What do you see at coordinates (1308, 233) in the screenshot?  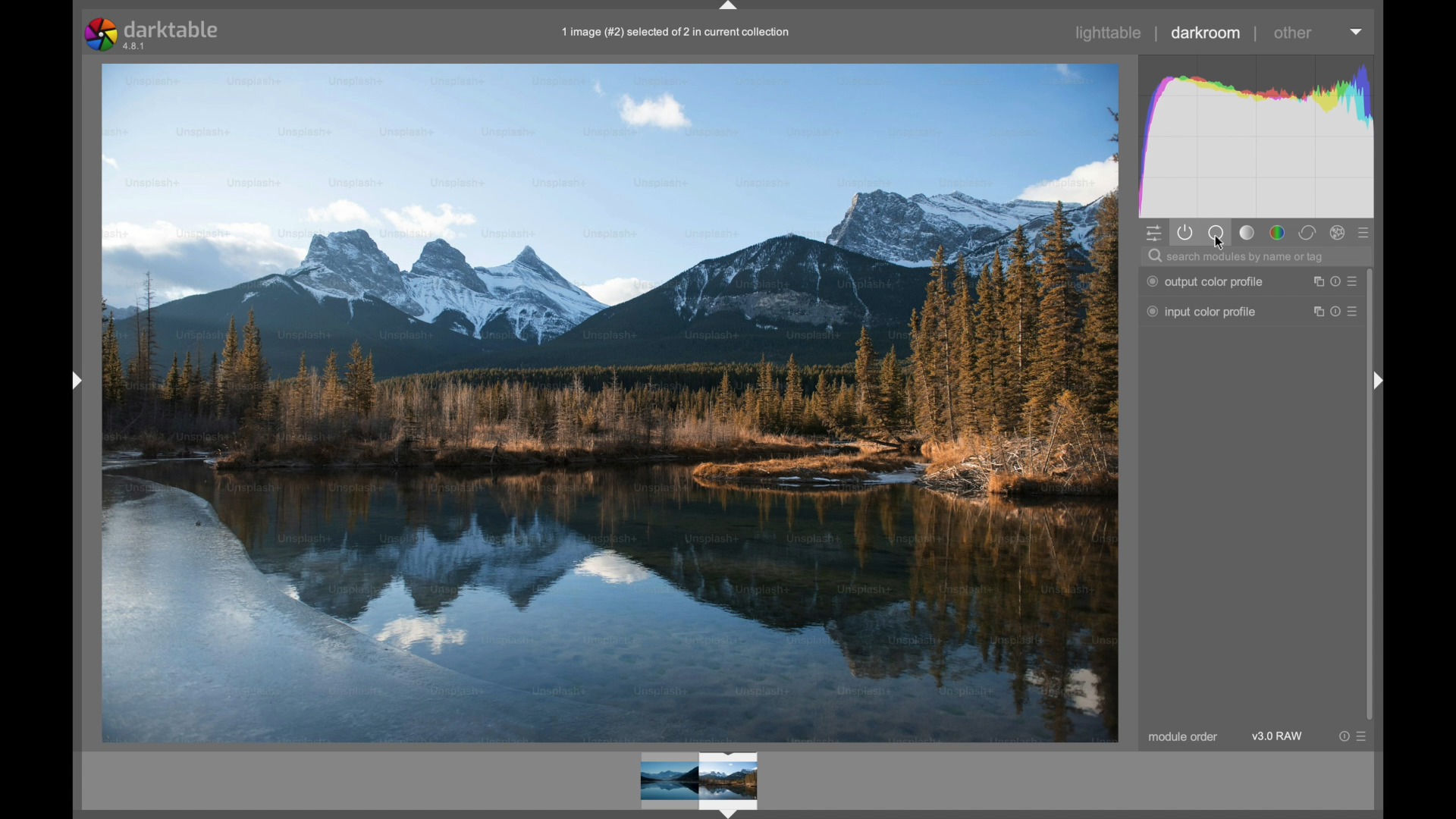 I see `correct` at bounding box center [1308, 233].